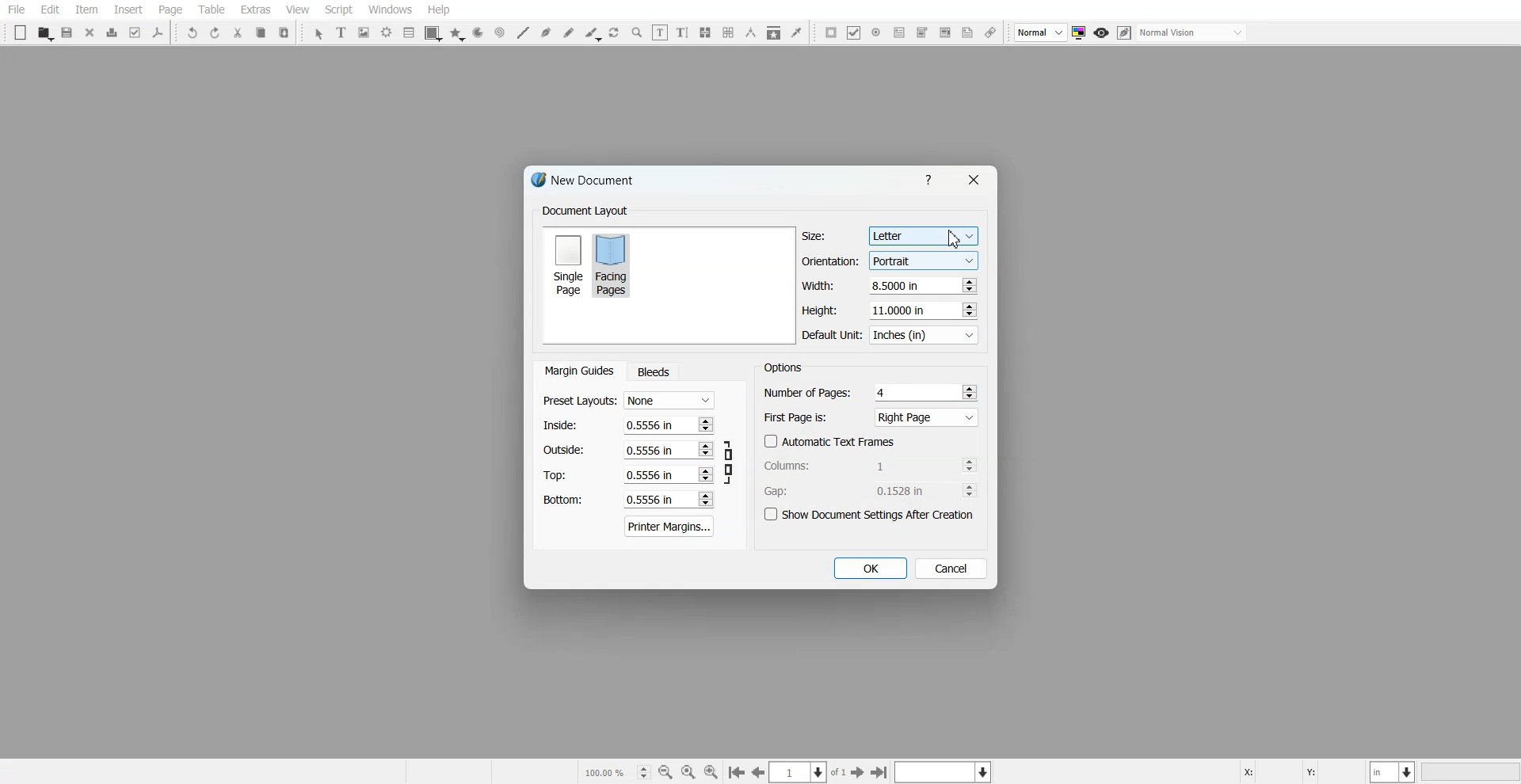 The width and height of the screenshot is (1521, 784). I want to click on Table, so click(211, 10).